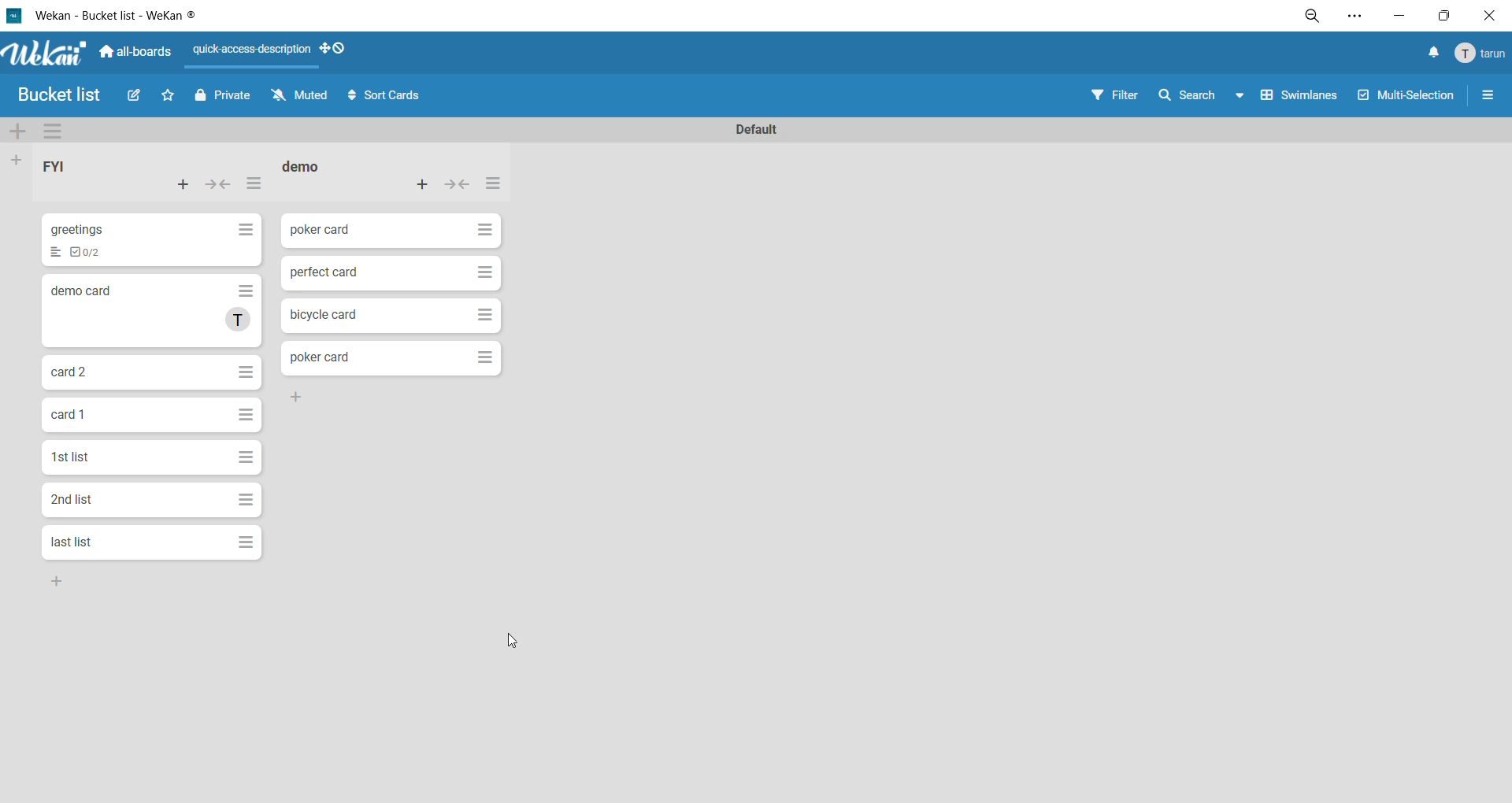  Describe the element at coordinates (88, 253) in the screenshot. I see `To-dos` at that location.